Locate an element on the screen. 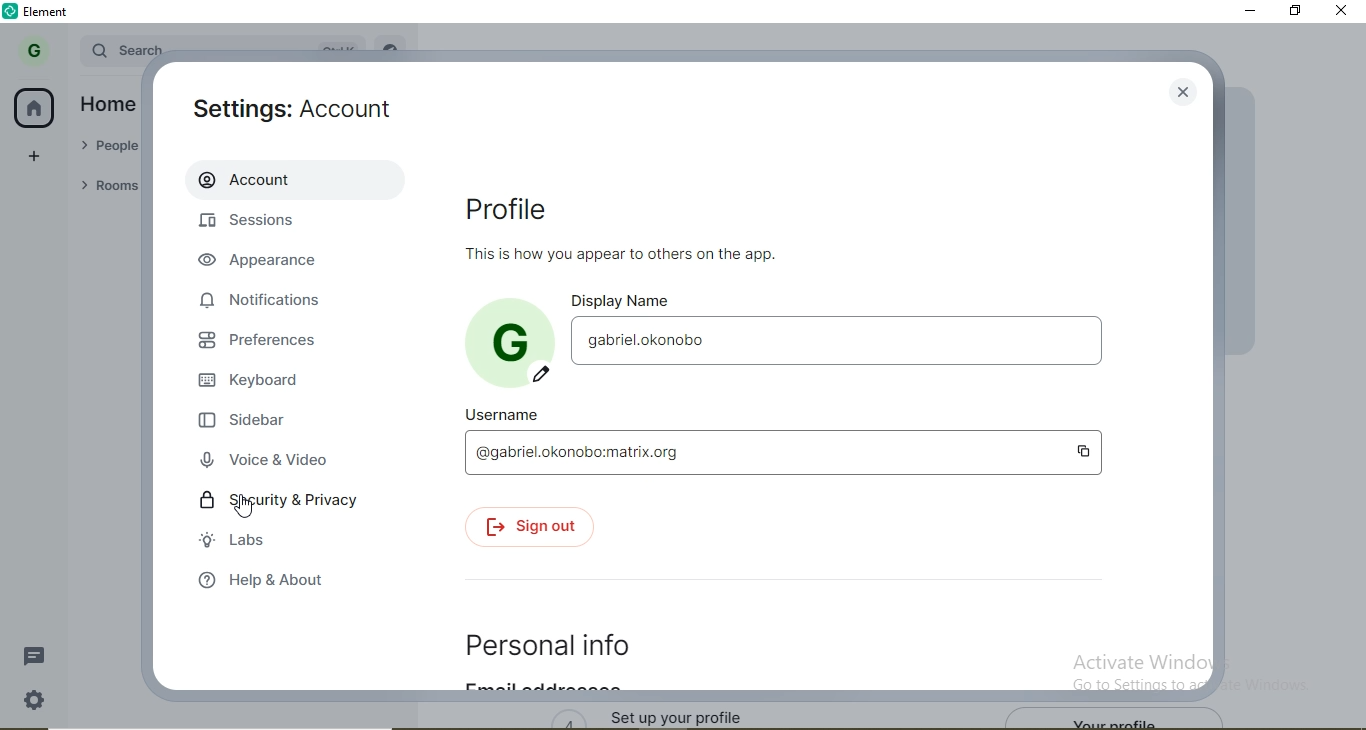  sessions is located at coordinates (267, 226).